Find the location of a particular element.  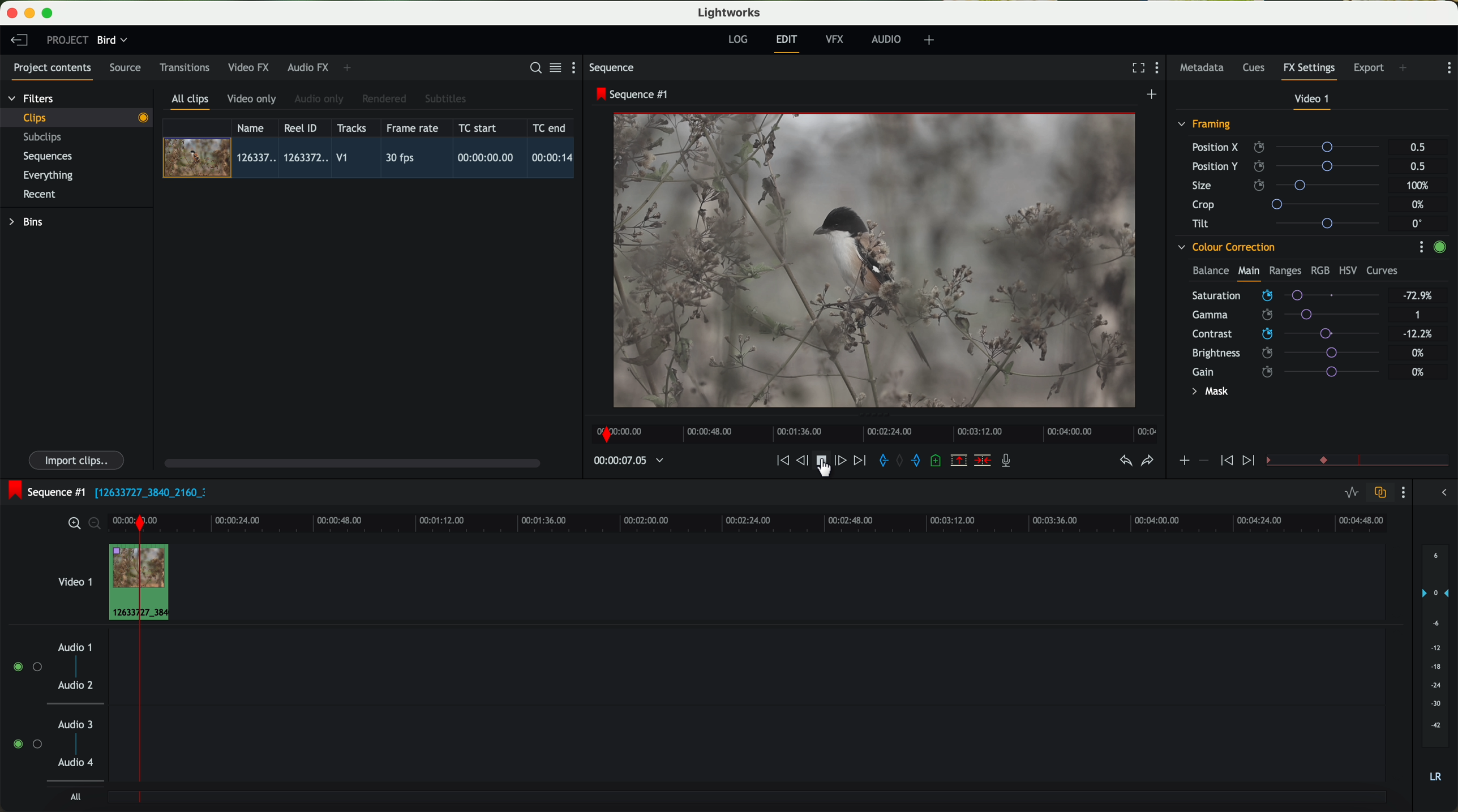

click on contrast is located at coordinates (1286, 335).